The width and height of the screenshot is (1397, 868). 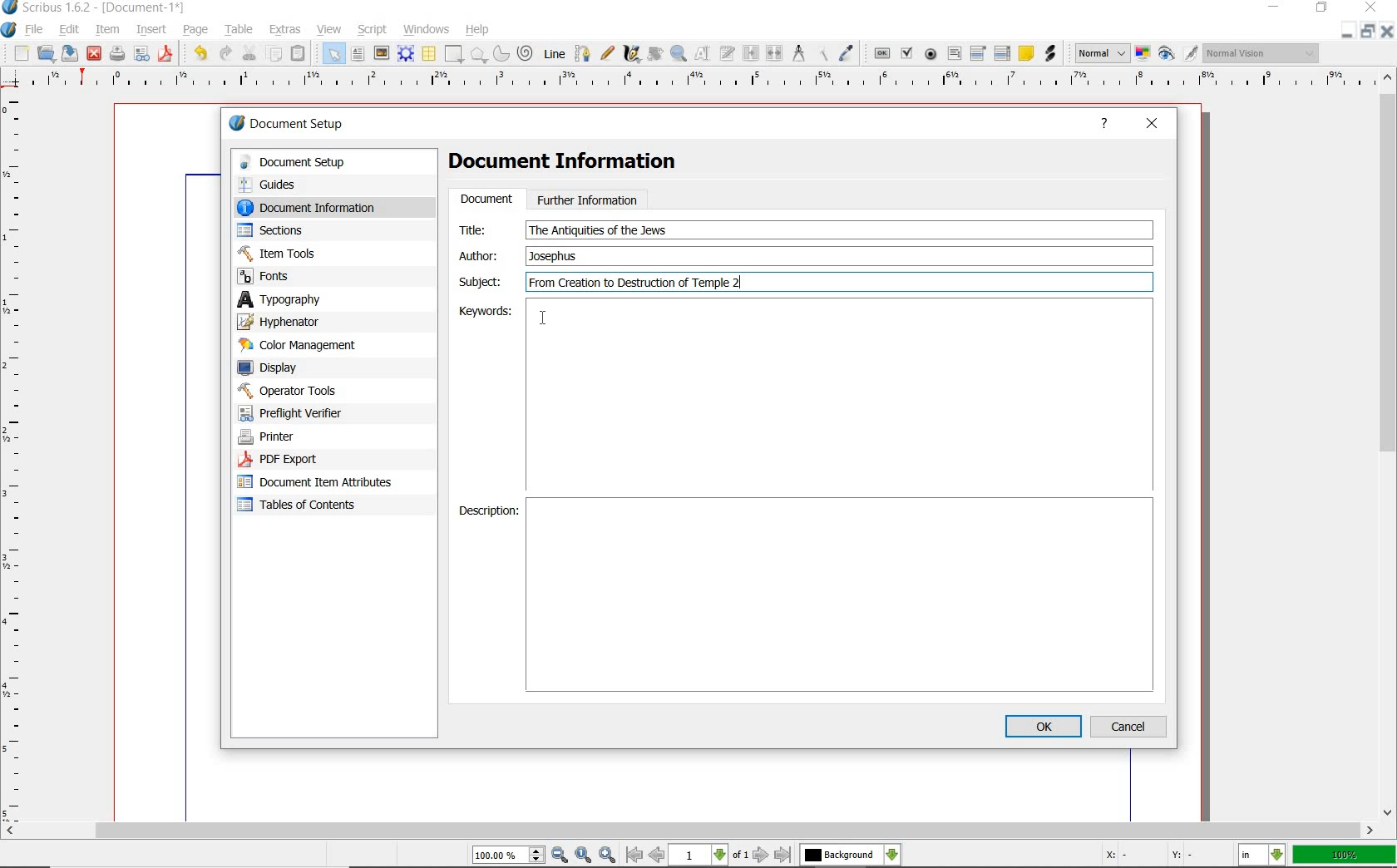 What do you see at coordinates (310, 391) in the screenshot?
I see `operator tools` at bounding box center [310, 391].